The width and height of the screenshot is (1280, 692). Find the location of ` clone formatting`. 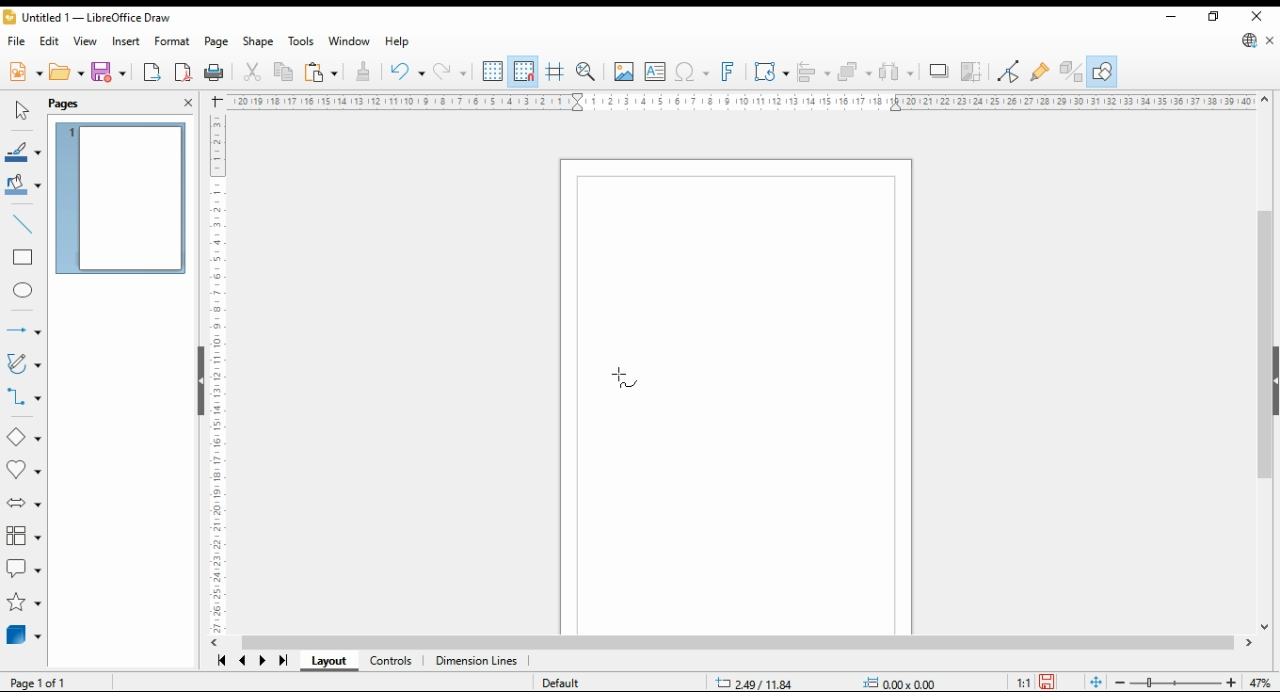

 clone formatting is located at coordinates (365, 71).